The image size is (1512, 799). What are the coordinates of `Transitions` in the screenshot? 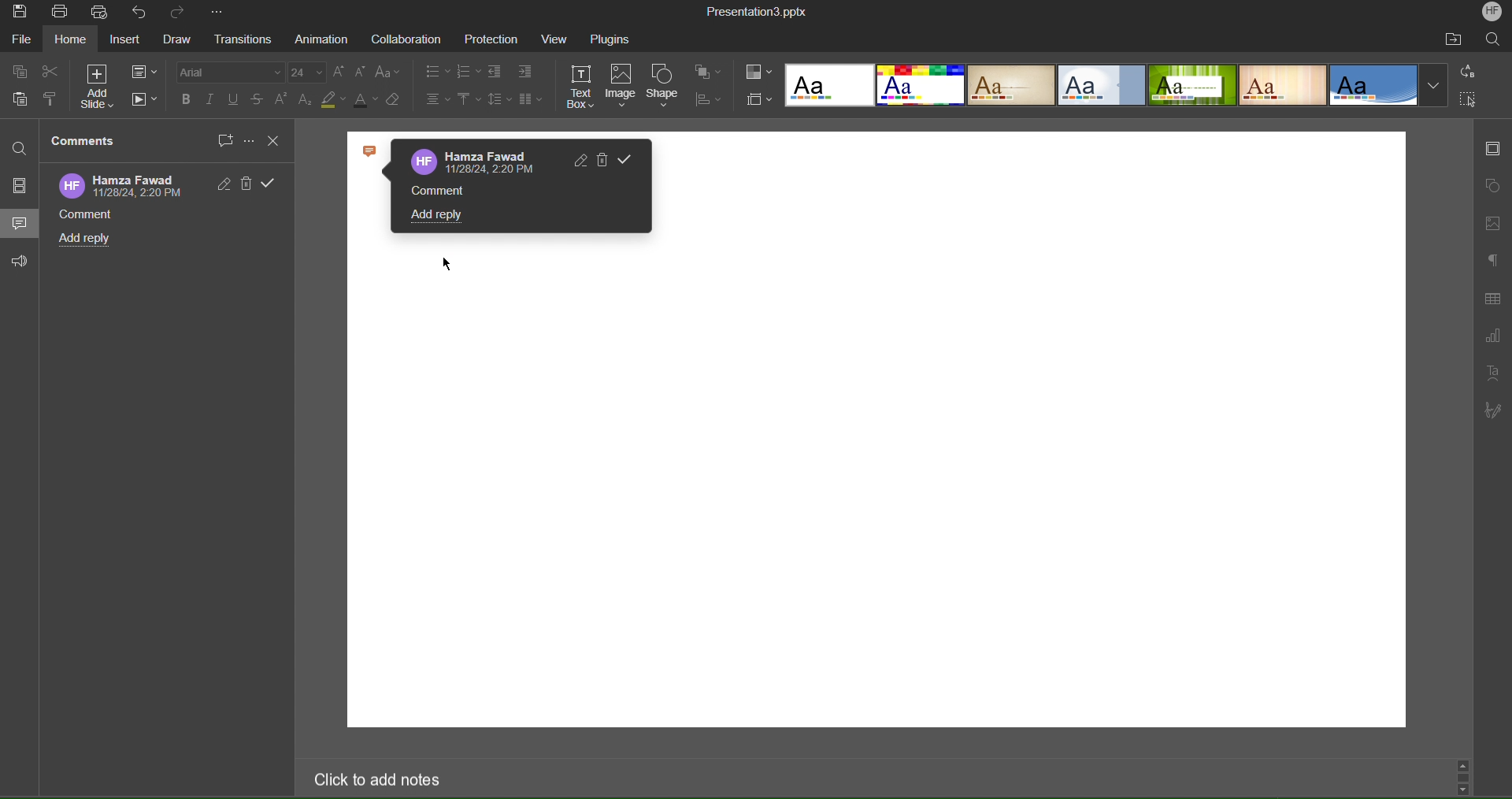 It's located at (243, 39).